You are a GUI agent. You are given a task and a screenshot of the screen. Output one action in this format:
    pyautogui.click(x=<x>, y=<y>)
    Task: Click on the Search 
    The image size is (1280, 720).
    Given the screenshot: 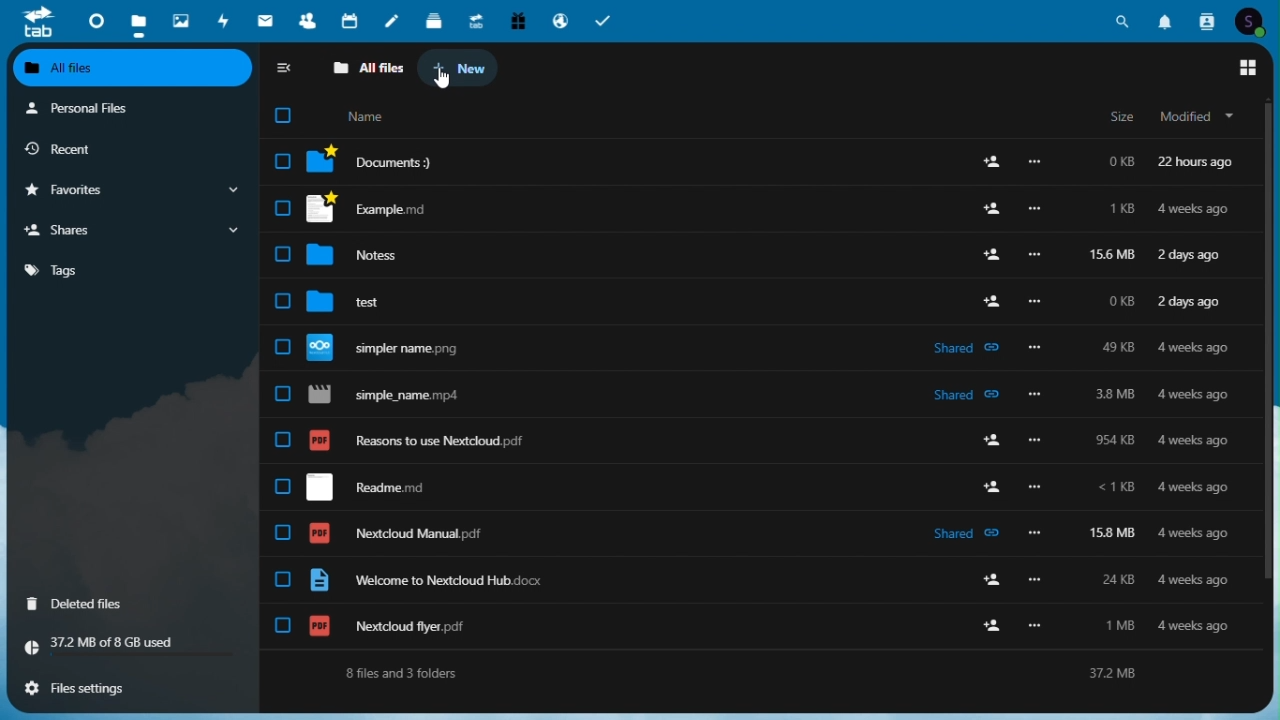 What is the action you would take?
    pyautogui.click(x=1122, y=21)
    